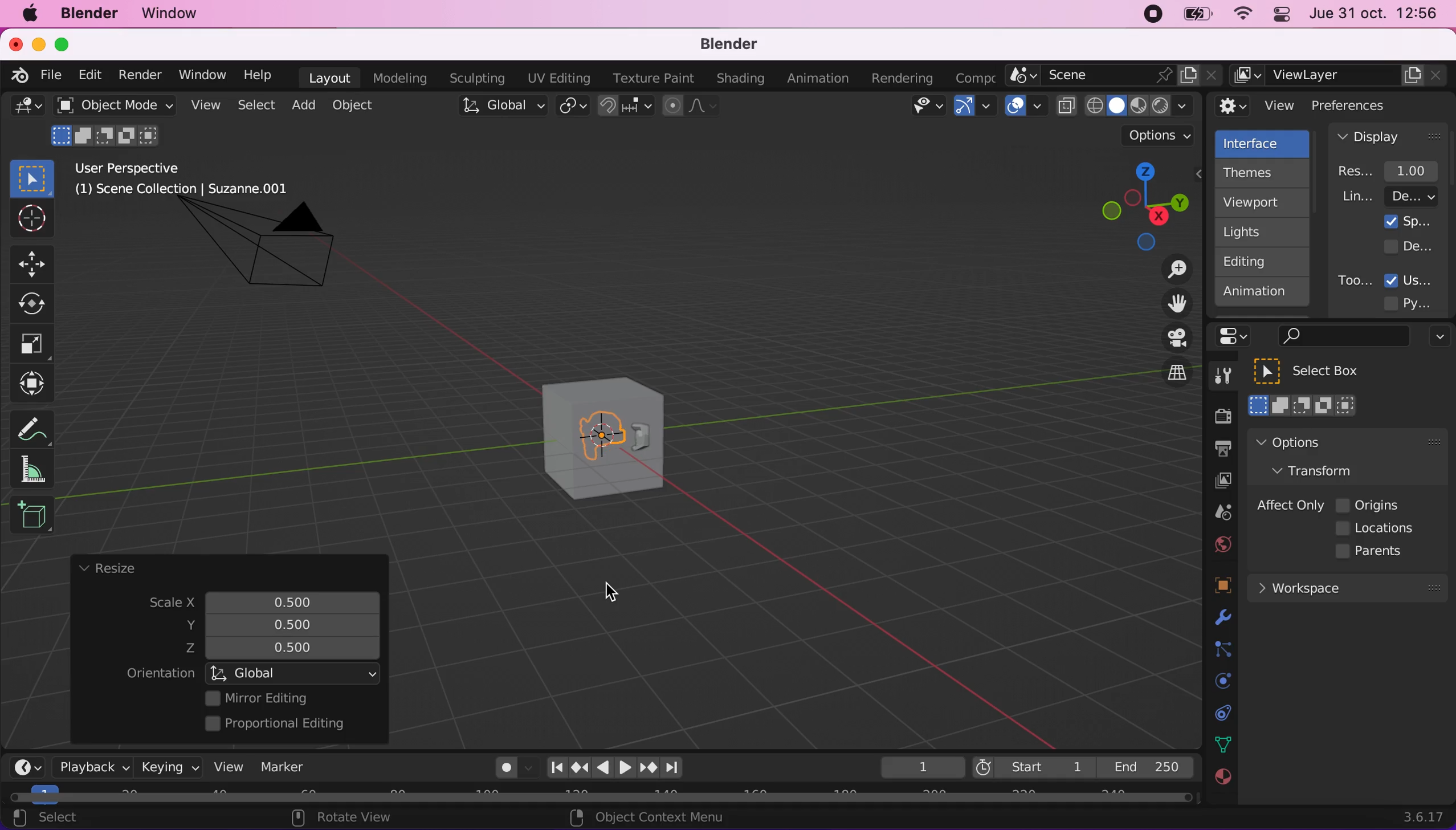  What do you see at coordinates (37, 262) in the screenshot?
I see `` at bounding box center [37, 262].